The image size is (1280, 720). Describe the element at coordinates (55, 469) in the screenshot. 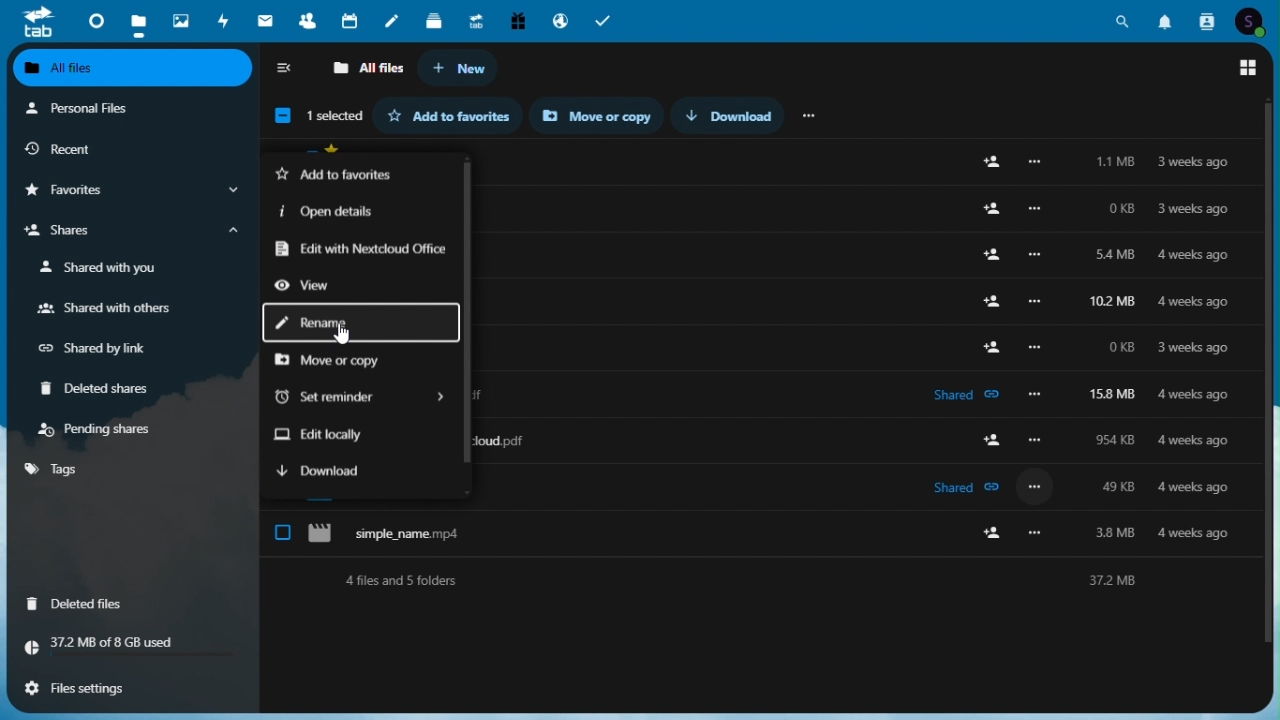

I see `tags` at that location.